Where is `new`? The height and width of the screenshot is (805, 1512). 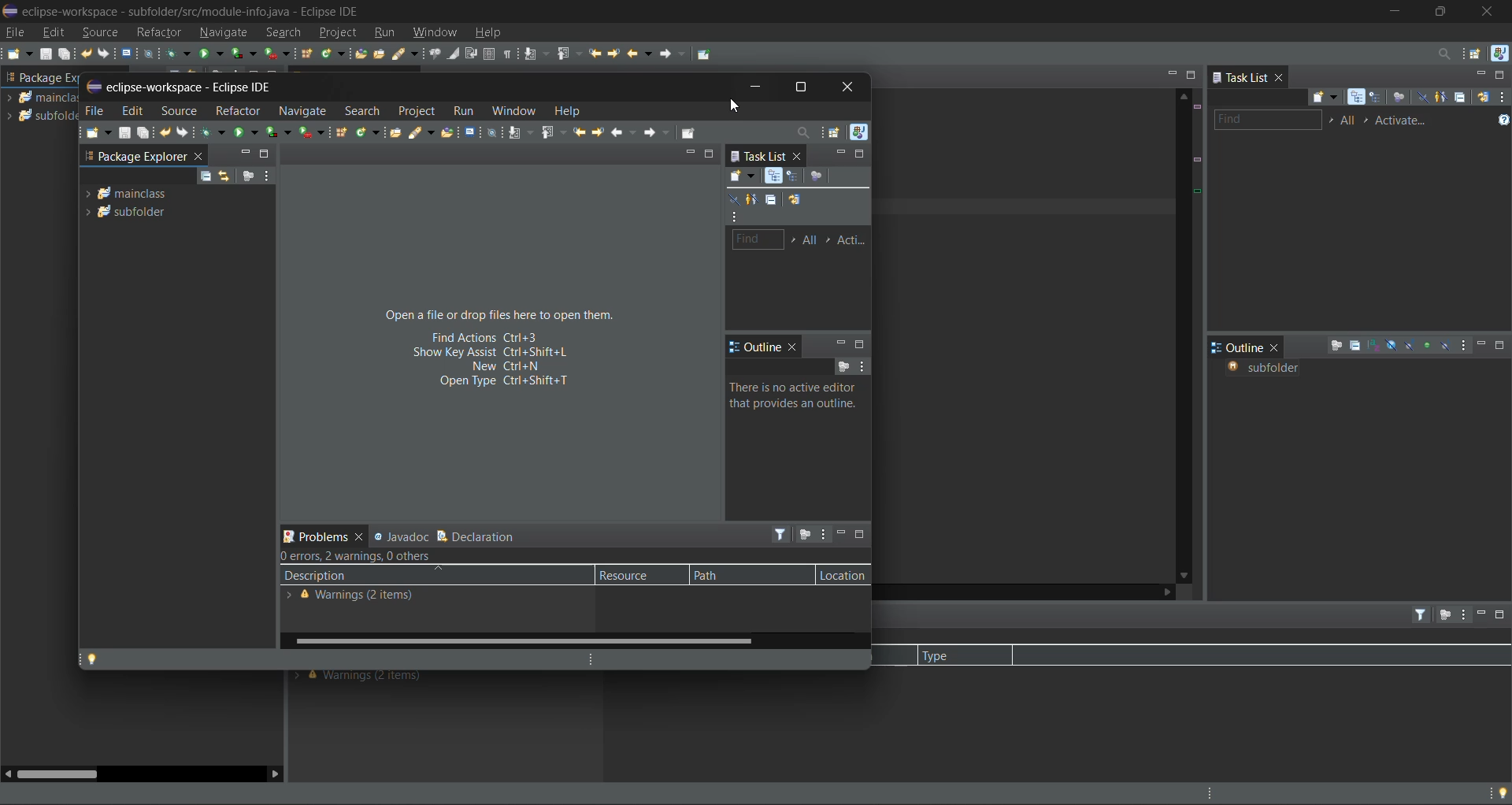 new is located at coordinates (100, 135).